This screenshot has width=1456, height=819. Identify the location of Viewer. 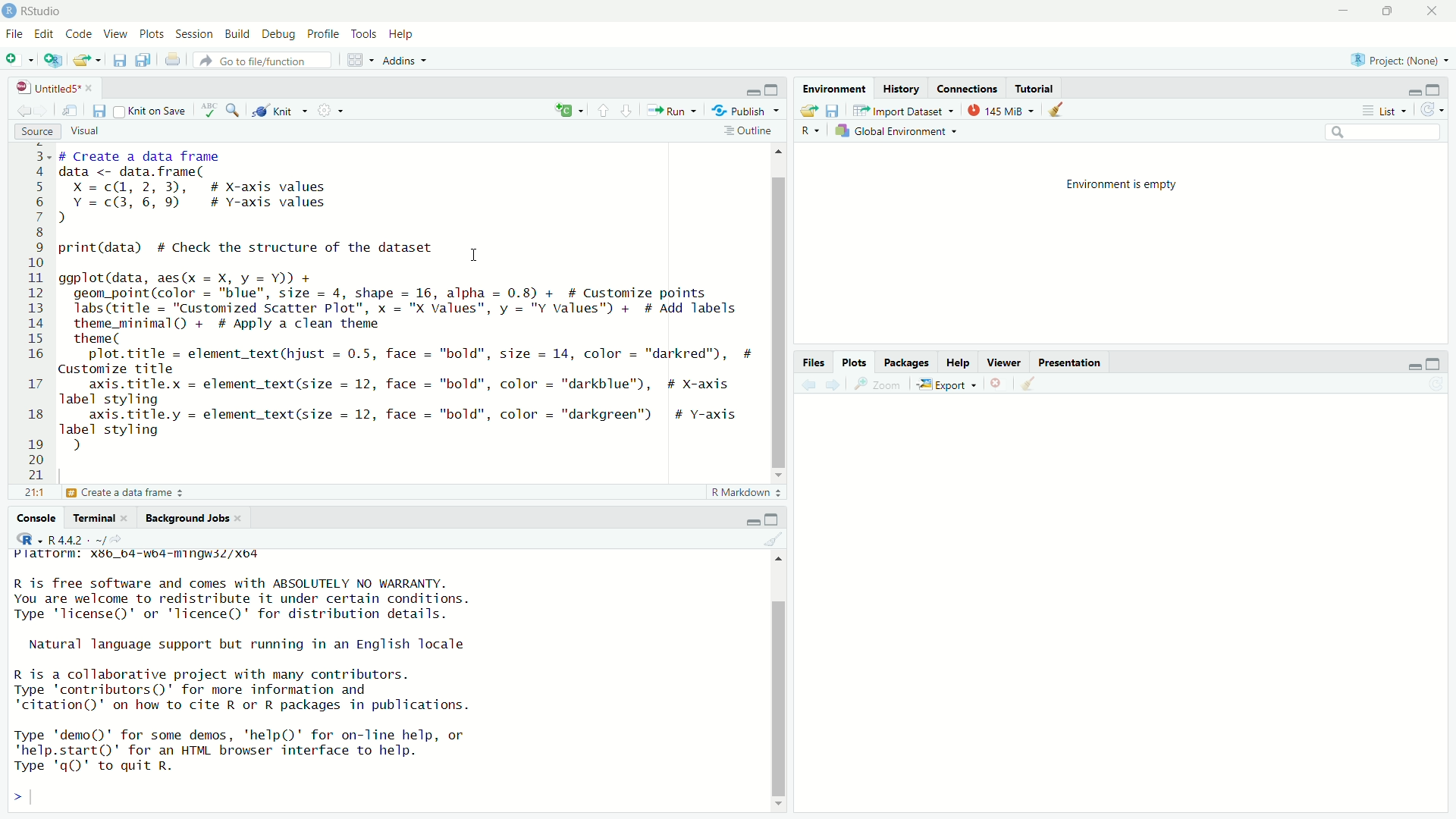
(1002, 365).